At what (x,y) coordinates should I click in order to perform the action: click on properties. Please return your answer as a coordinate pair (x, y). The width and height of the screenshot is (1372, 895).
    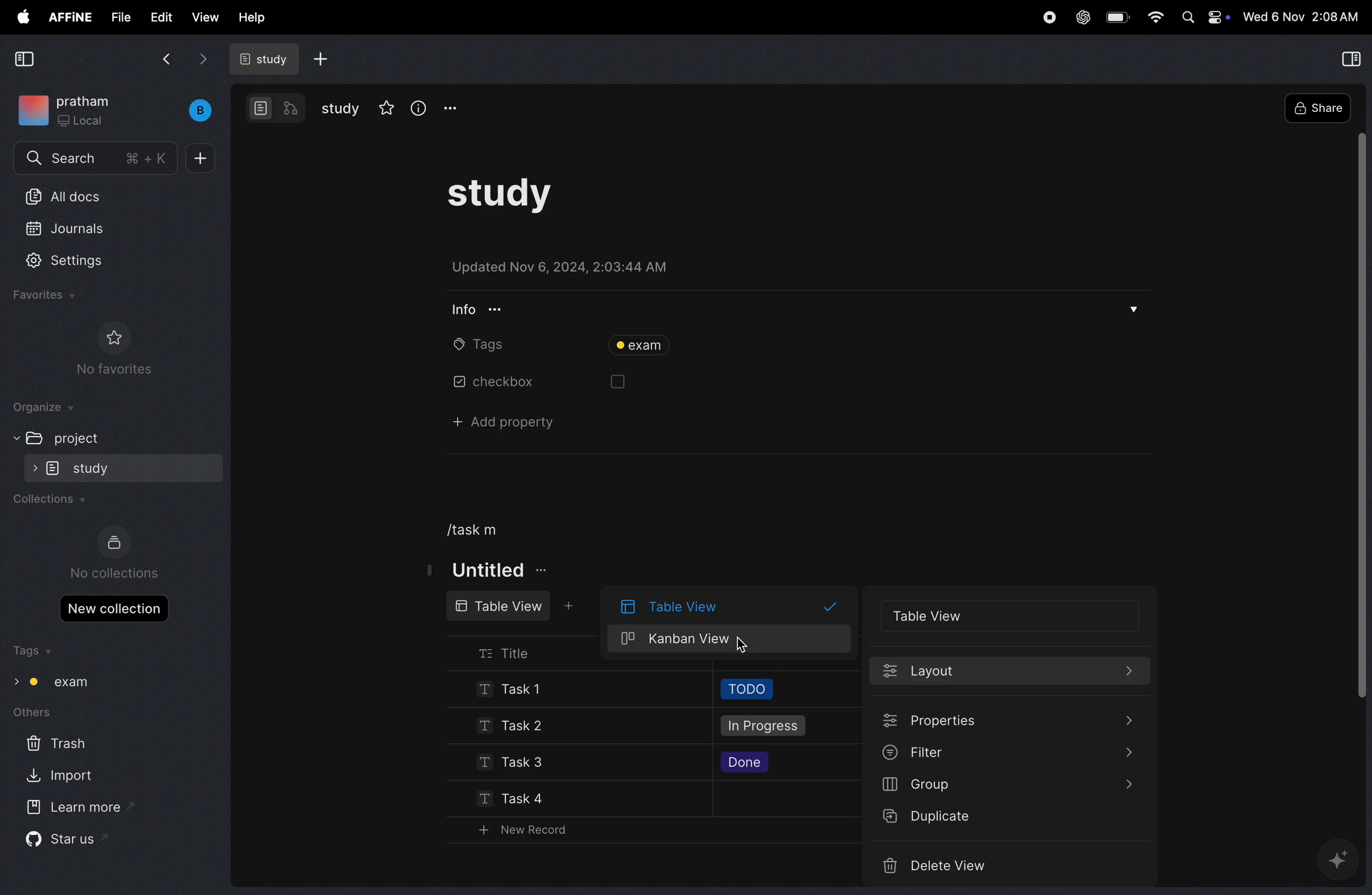
    Looking at the image, I should click on (1007, 720).